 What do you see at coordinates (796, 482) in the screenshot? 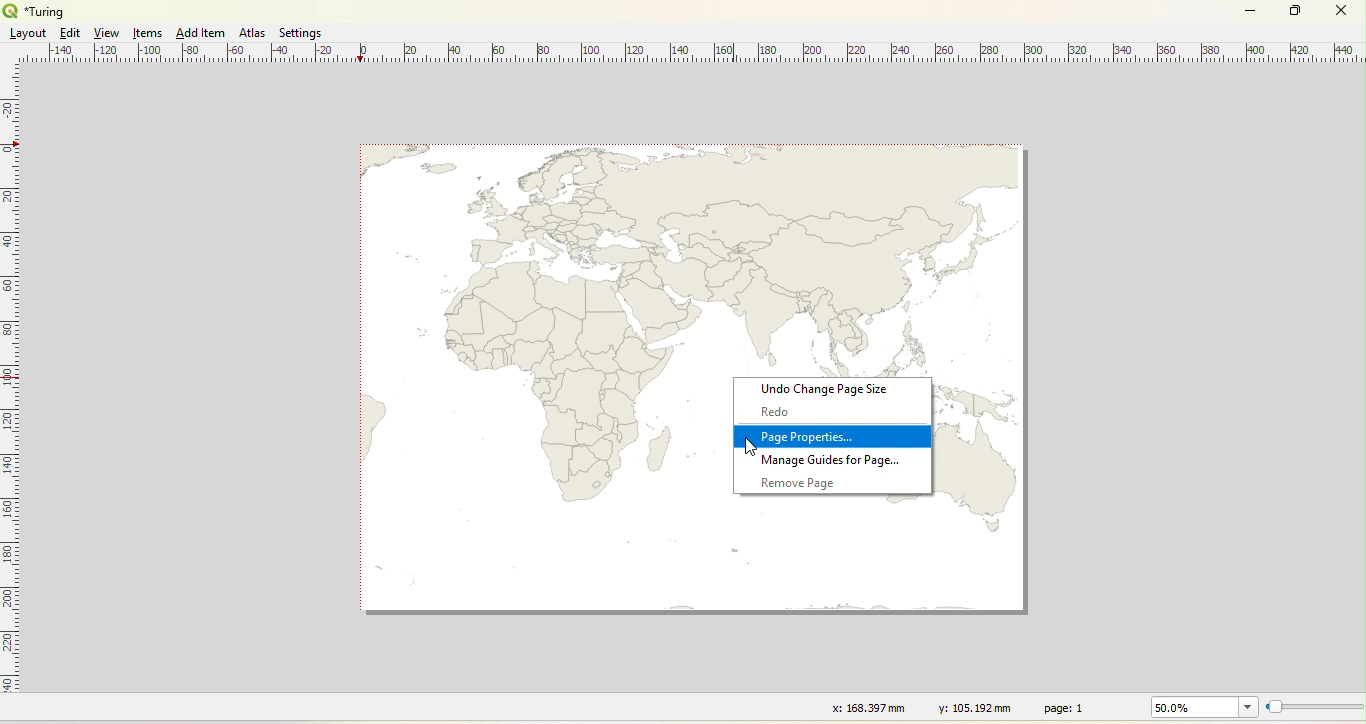
I see `remove page` at bounding box center [796, 482].